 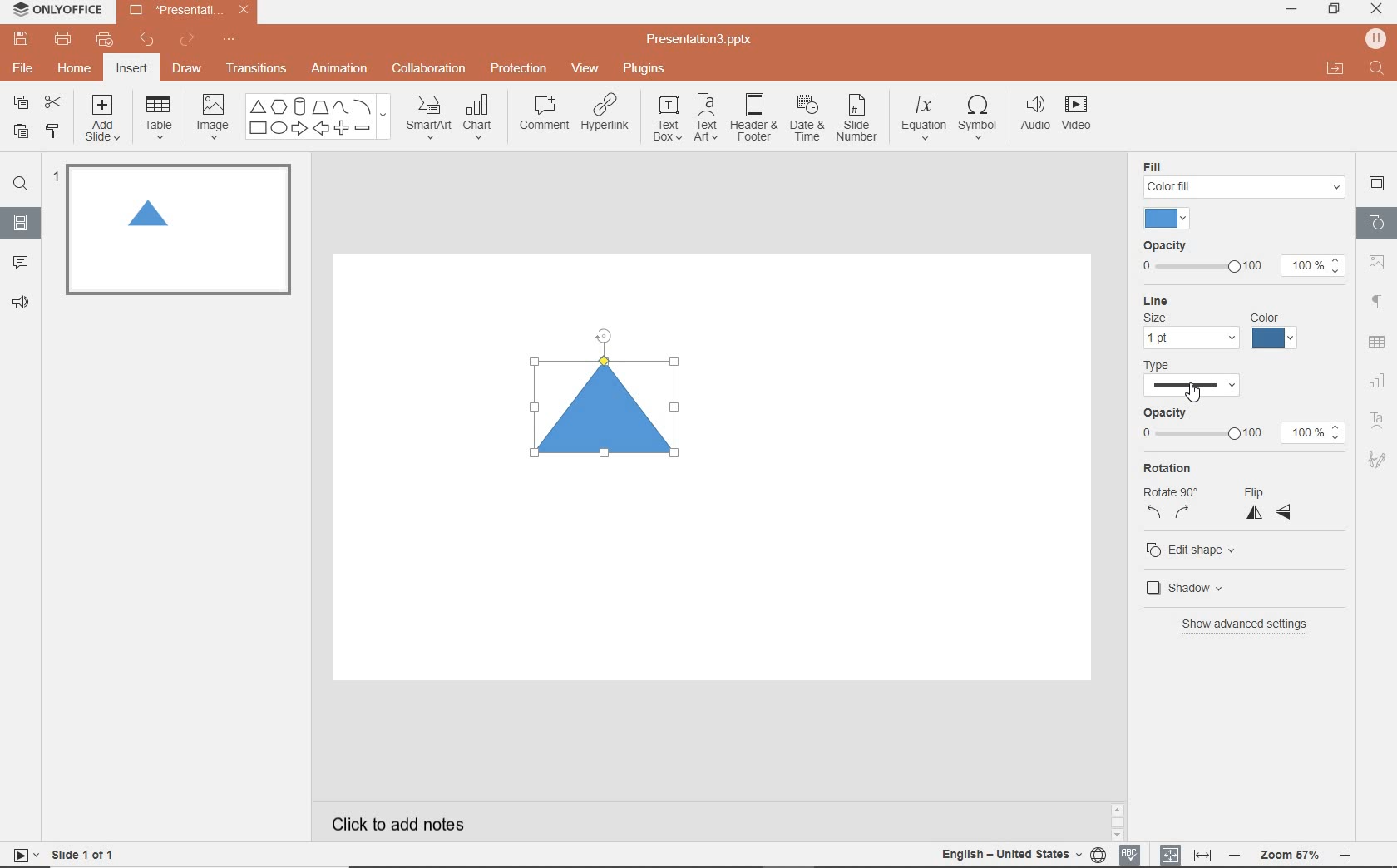 What do you see at coordinates (586, 70) in the screenshot?
I see `VIEW` at bounding box center [586, 70].